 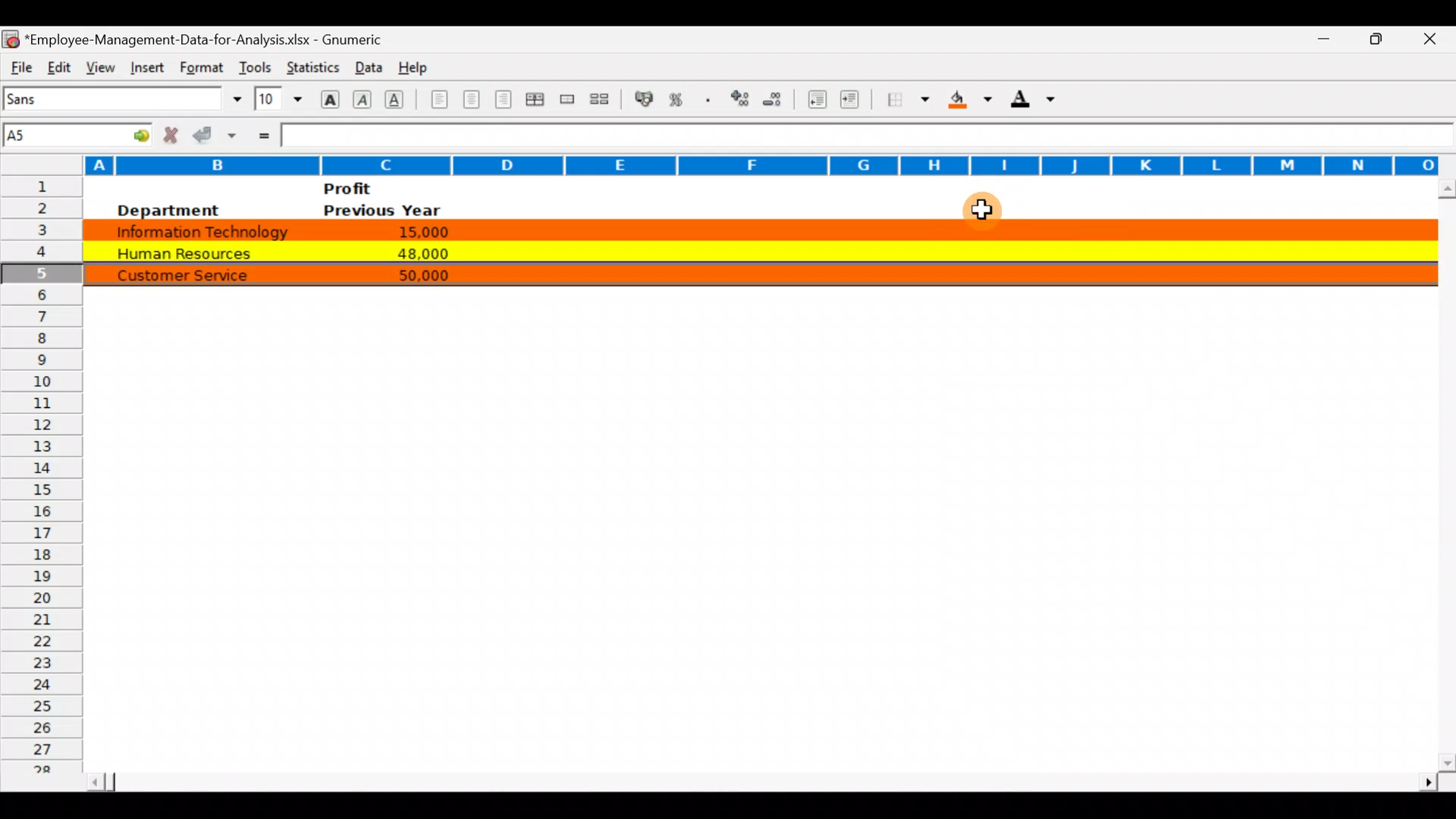 I want to click on Include a thousands operator, so click(x=711, y=101).